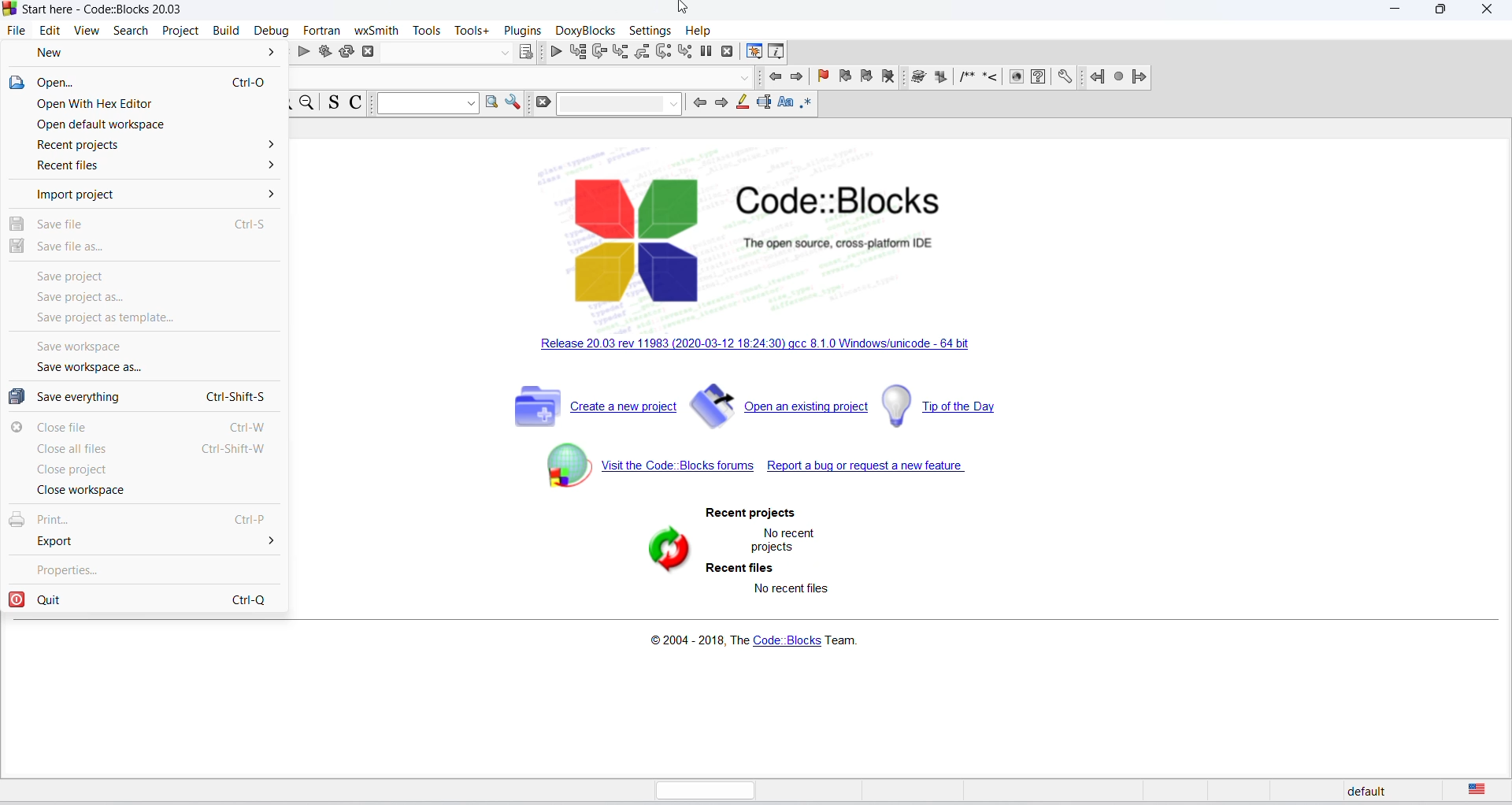  I want to click on previous, so click(773, 76).